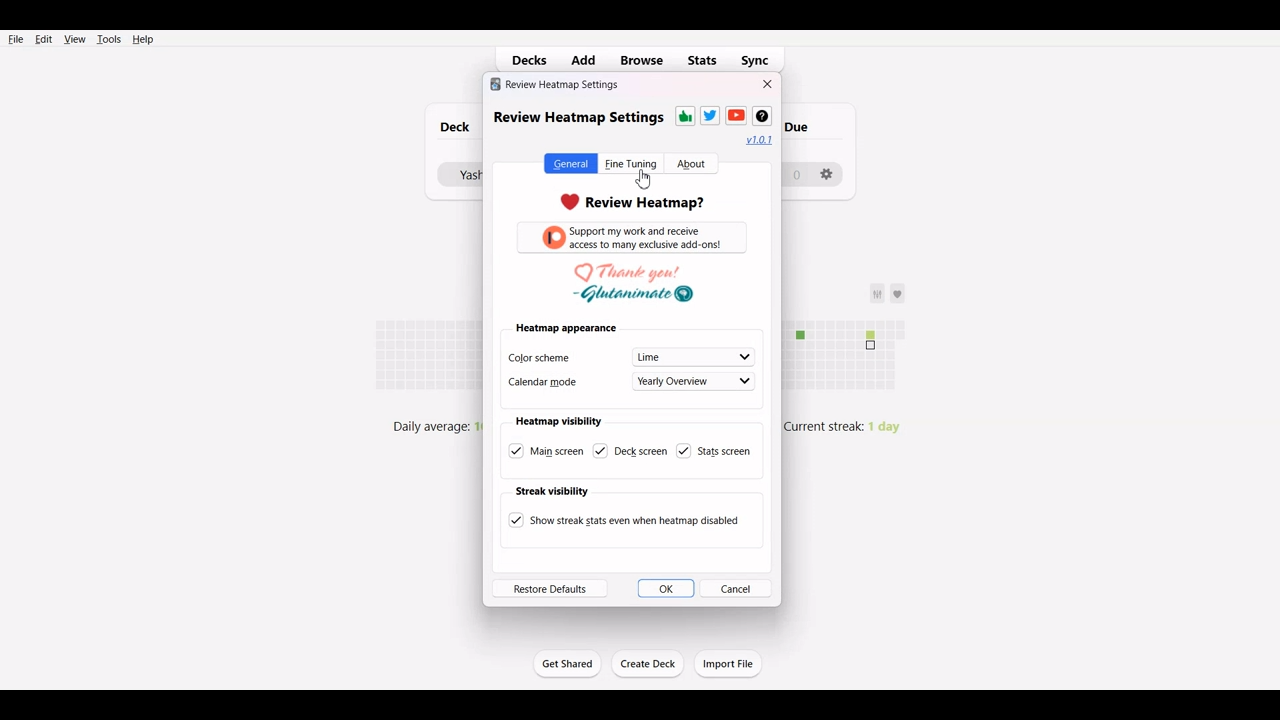 Image resolution: width=1280 pixels, height=720 pixels. I want to click on Fine Tuning, so click(631, 163).